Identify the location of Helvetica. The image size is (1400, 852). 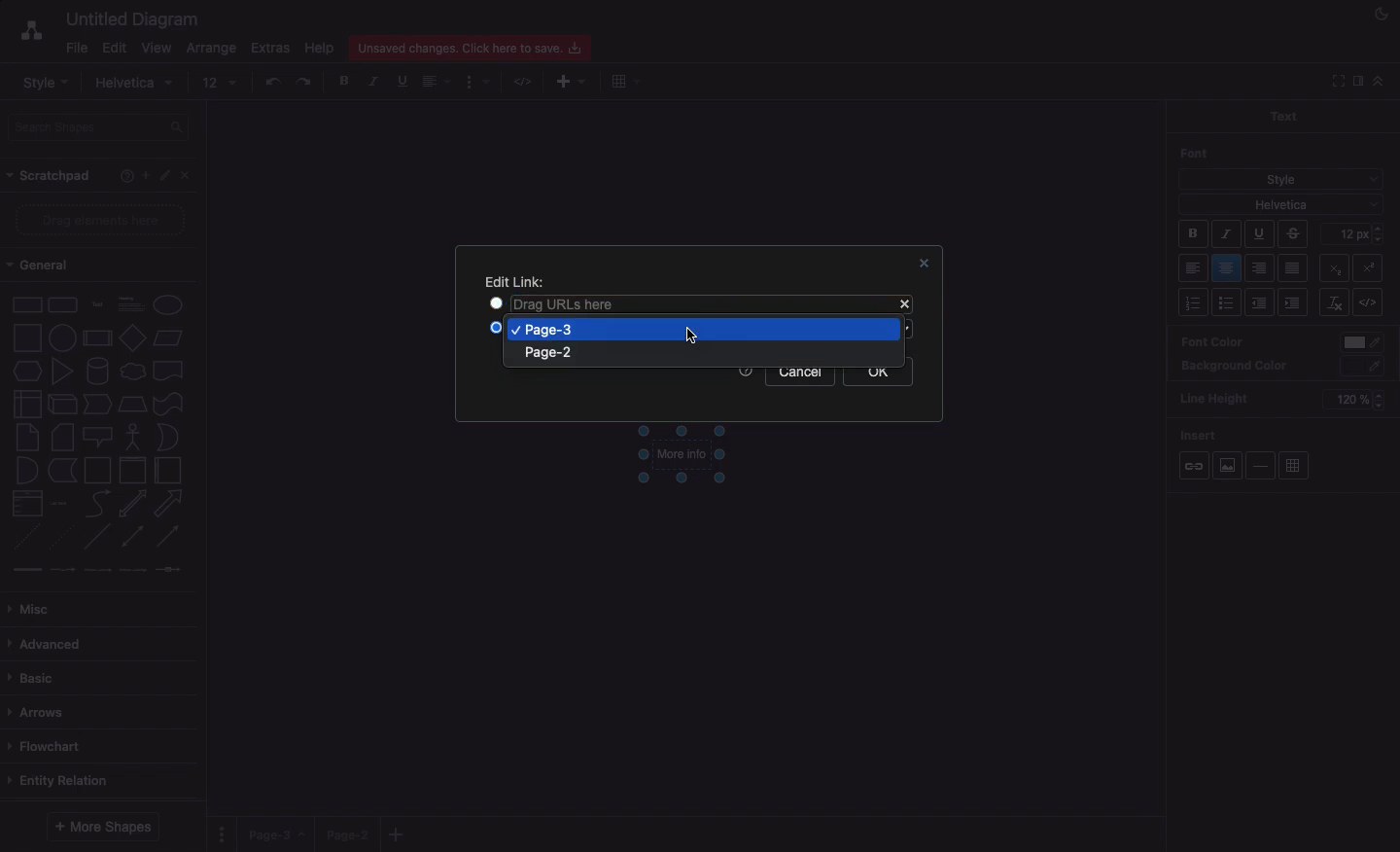
(1281, 203).